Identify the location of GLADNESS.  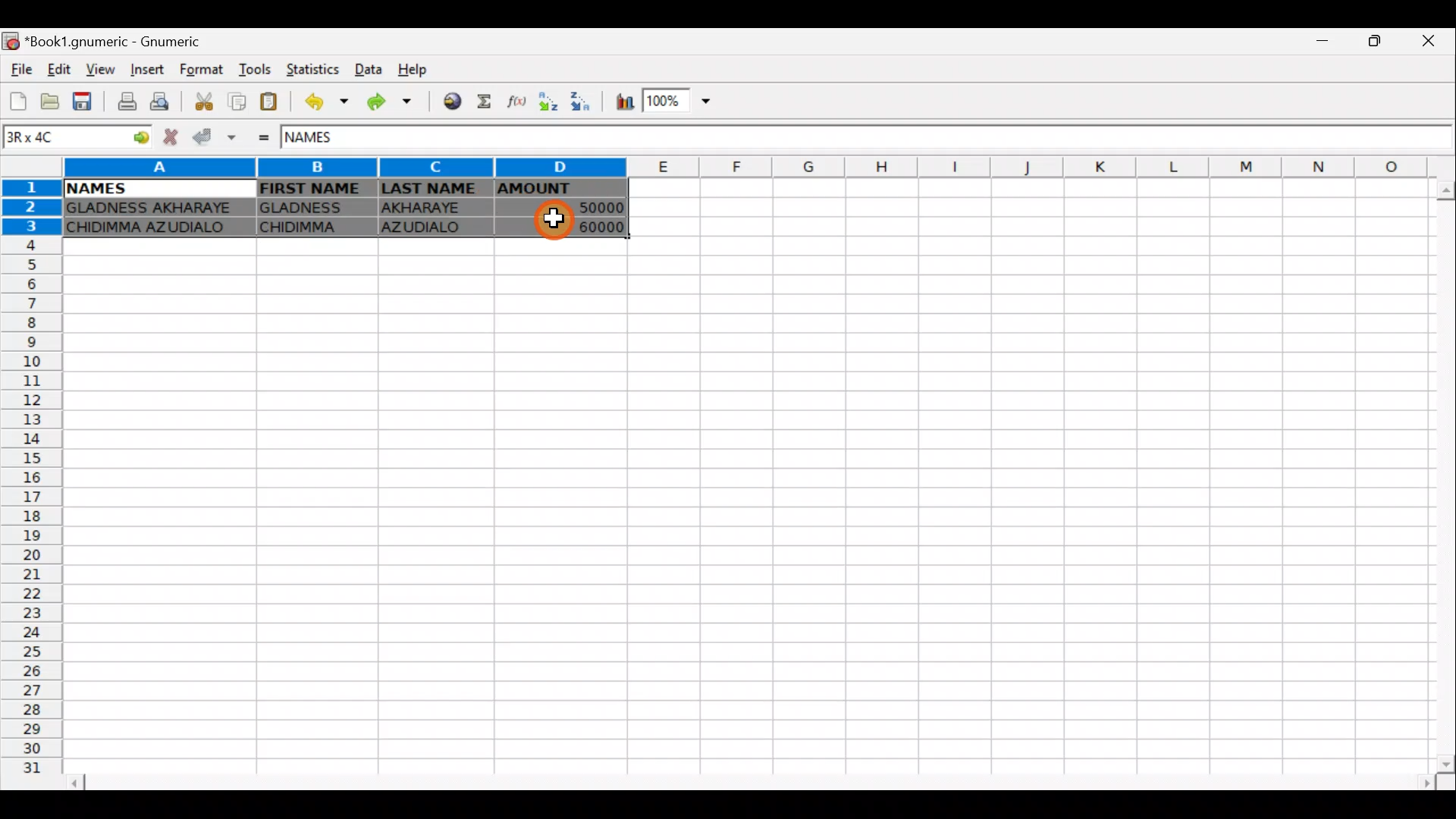
(313, 206).